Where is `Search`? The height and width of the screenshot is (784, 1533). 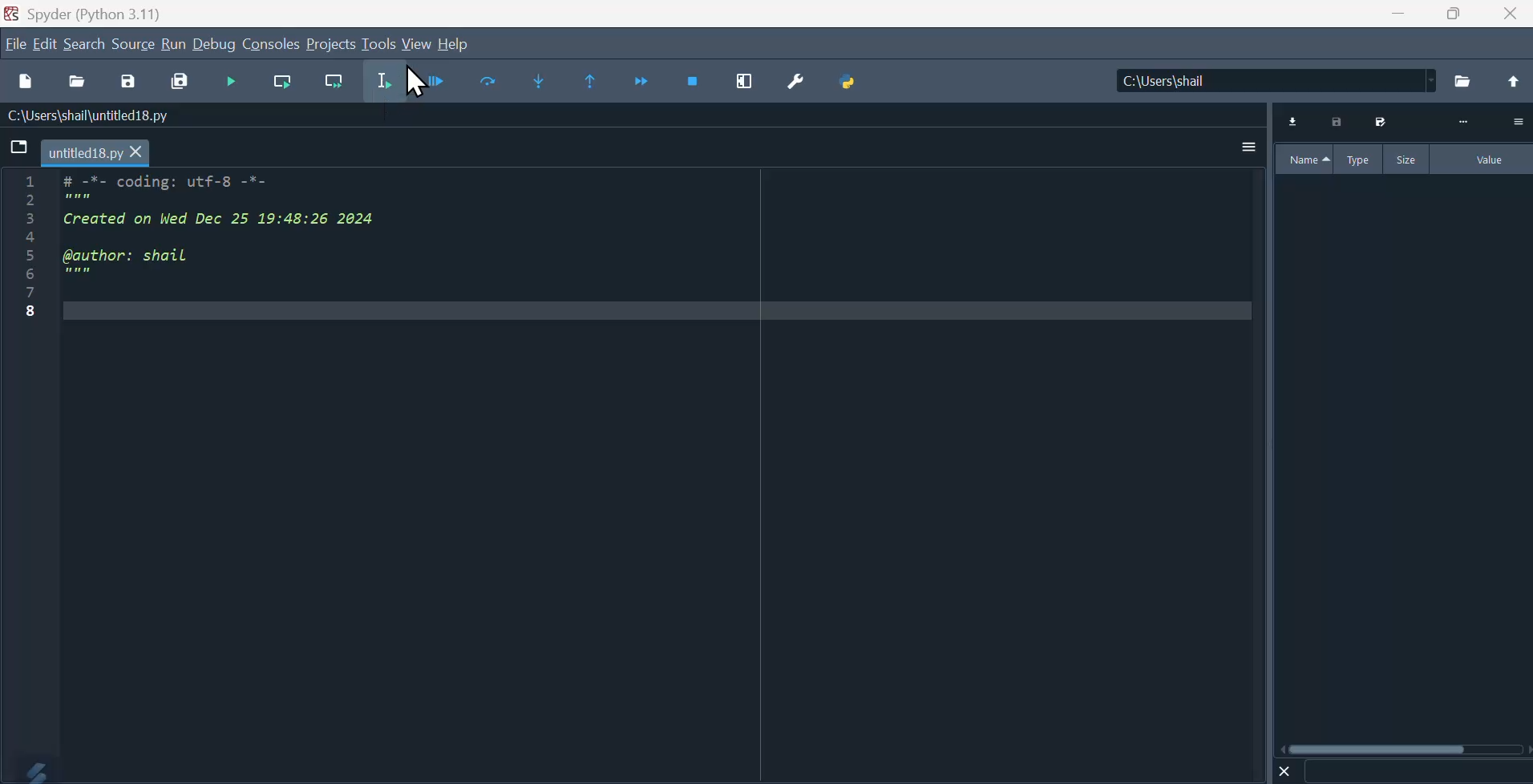
Search is located at coordinates (85, 44).